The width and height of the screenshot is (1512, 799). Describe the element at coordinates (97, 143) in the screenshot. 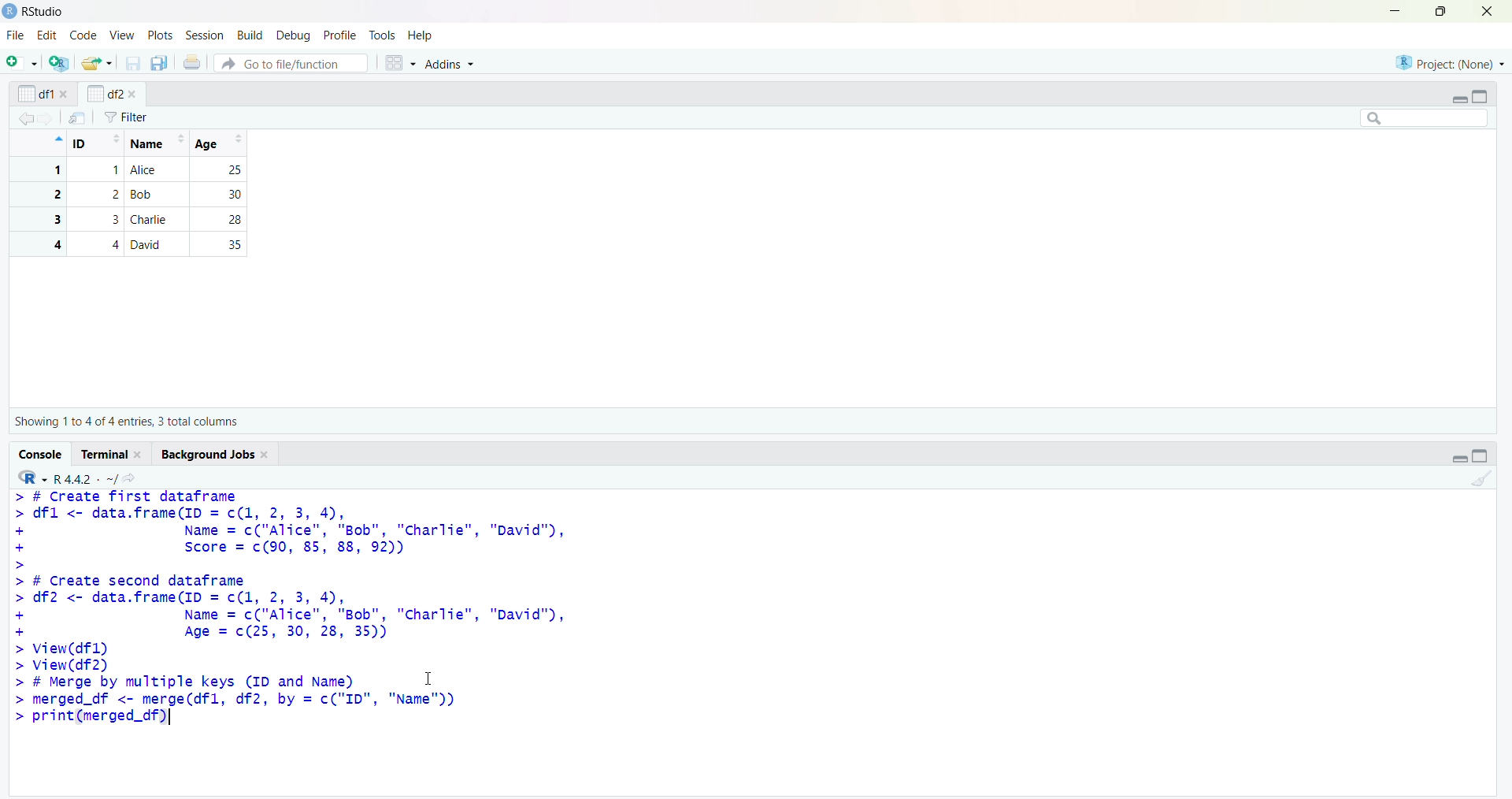

I see `ID` at that location.